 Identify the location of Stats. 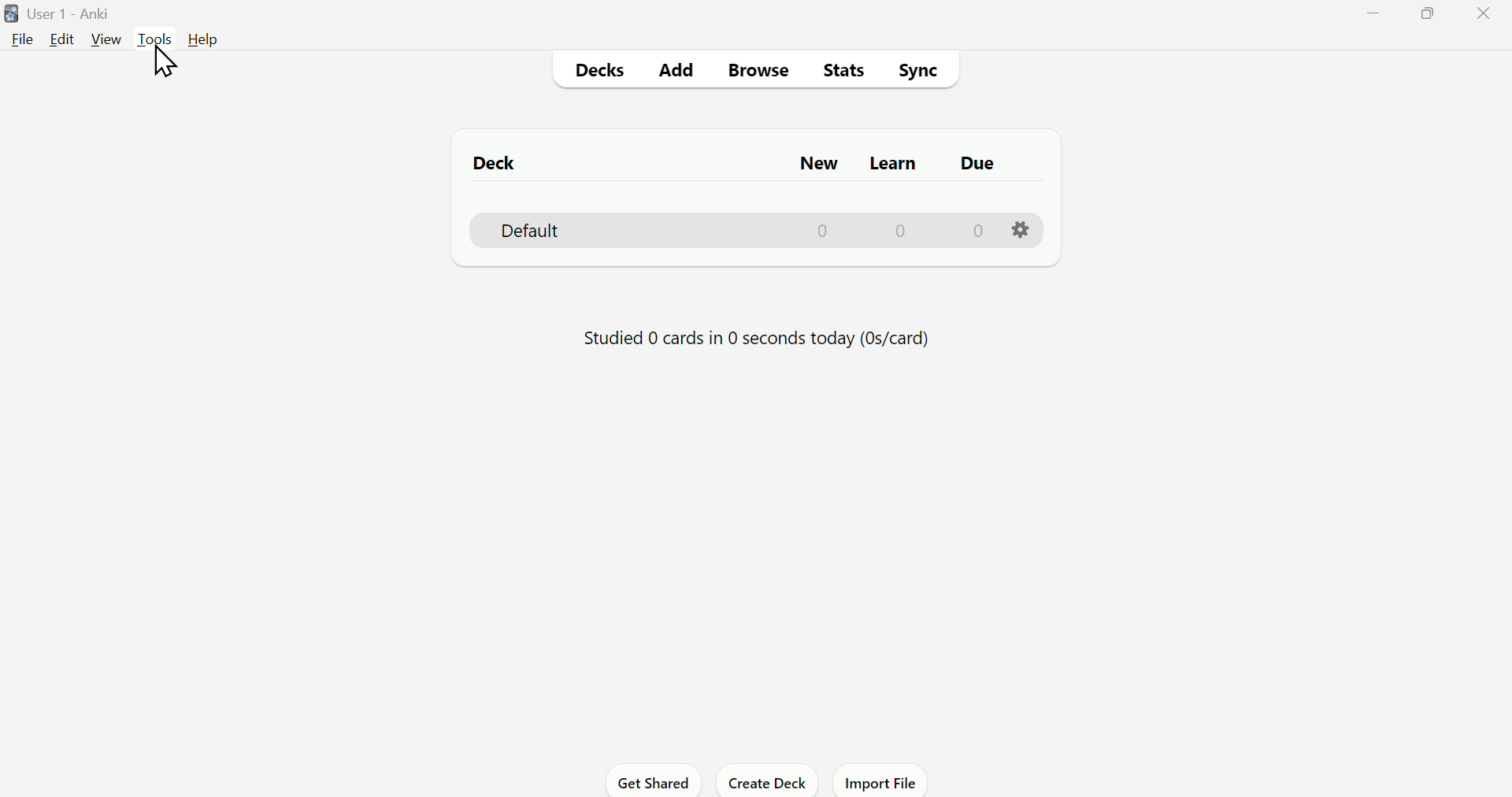
(842, 71).